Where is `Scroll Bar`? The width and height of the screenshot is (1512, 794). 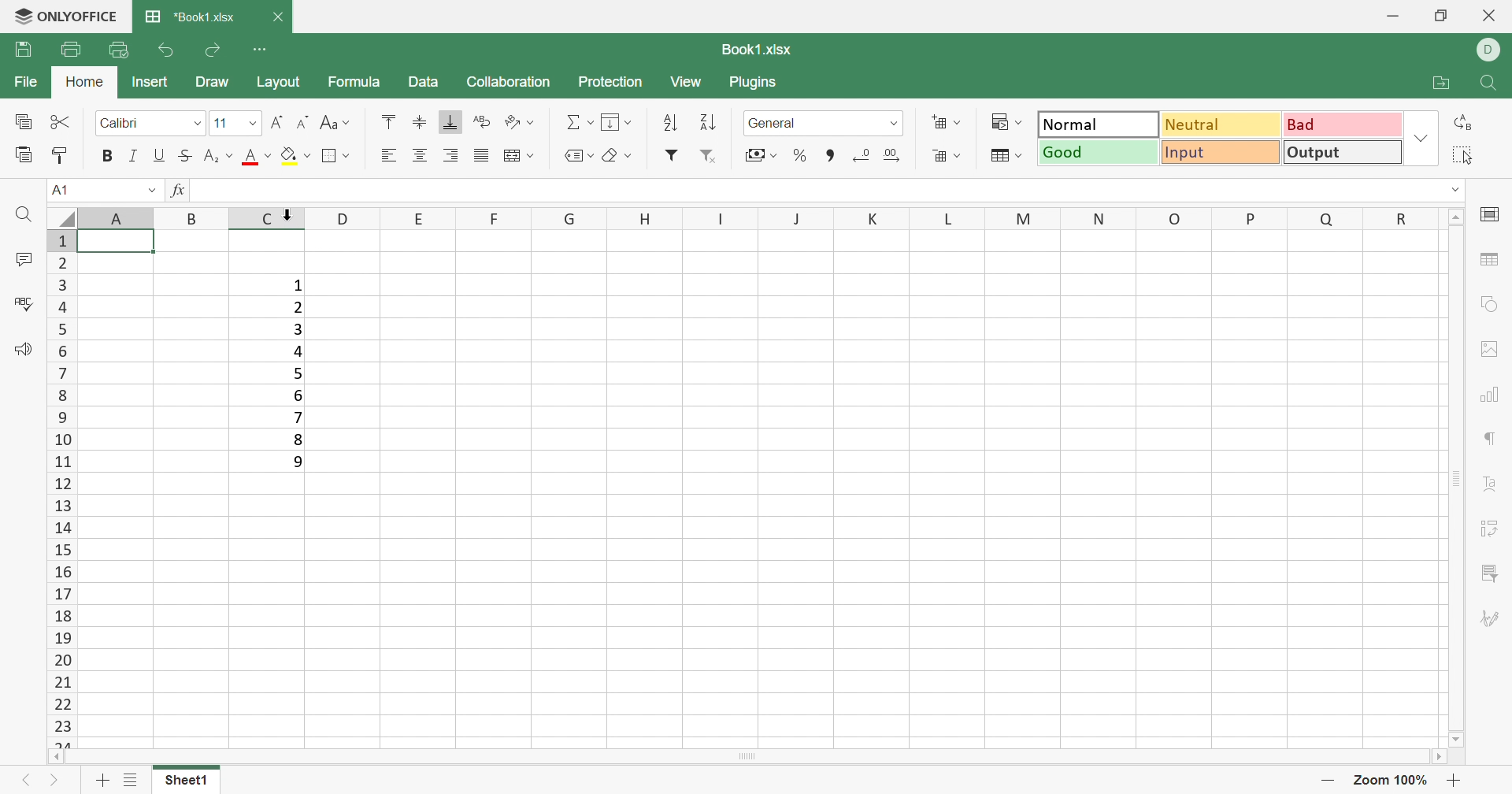
Scroll Bar is located at coordinates (1458, 478).